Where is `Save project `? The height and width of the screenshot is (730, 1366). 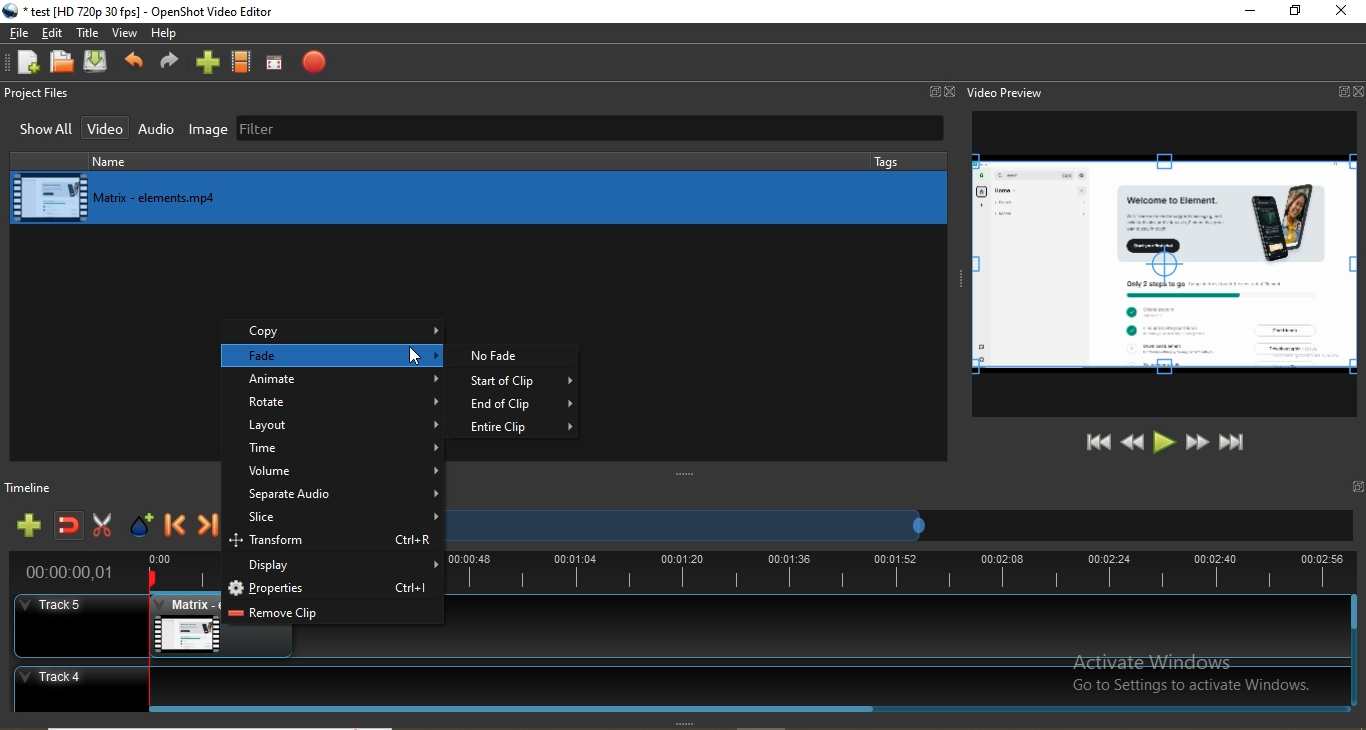
Save project  is located at coordinates (100, 63).